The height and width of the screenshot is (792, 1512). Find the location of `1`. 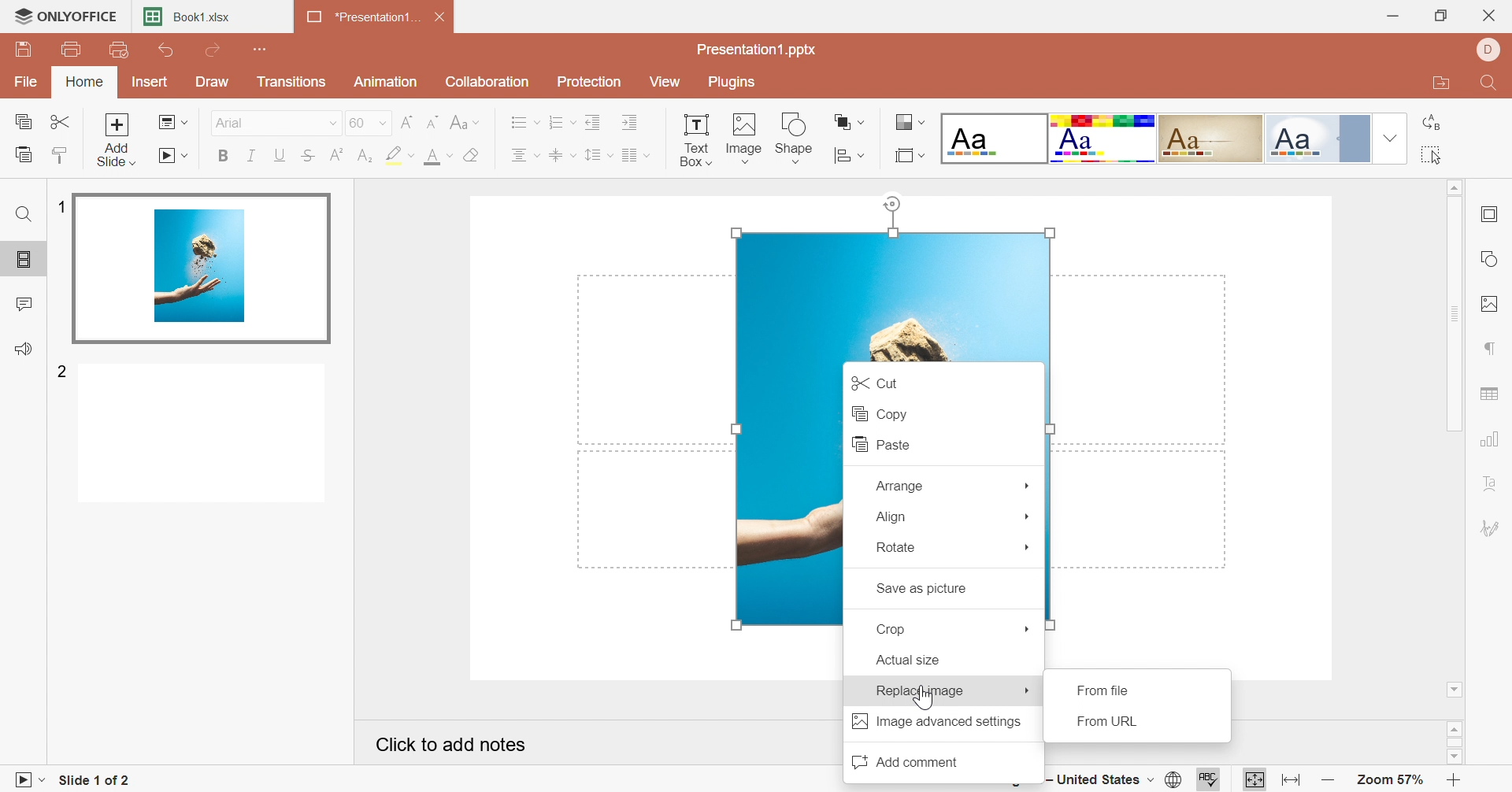

1 is located at coordinates (61, 206).